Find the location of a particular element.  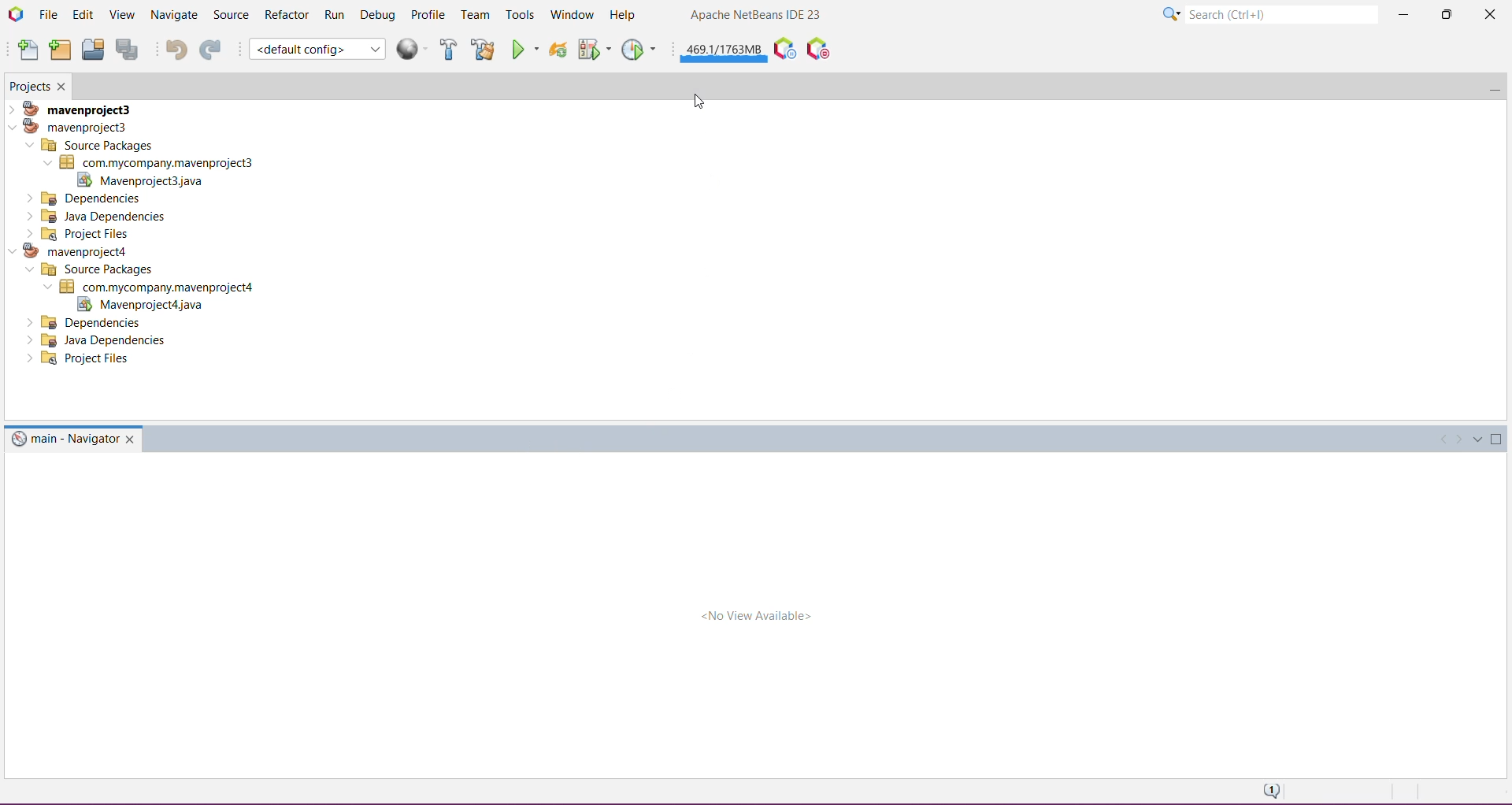

Application Logo is located at coordinates (15, 14).